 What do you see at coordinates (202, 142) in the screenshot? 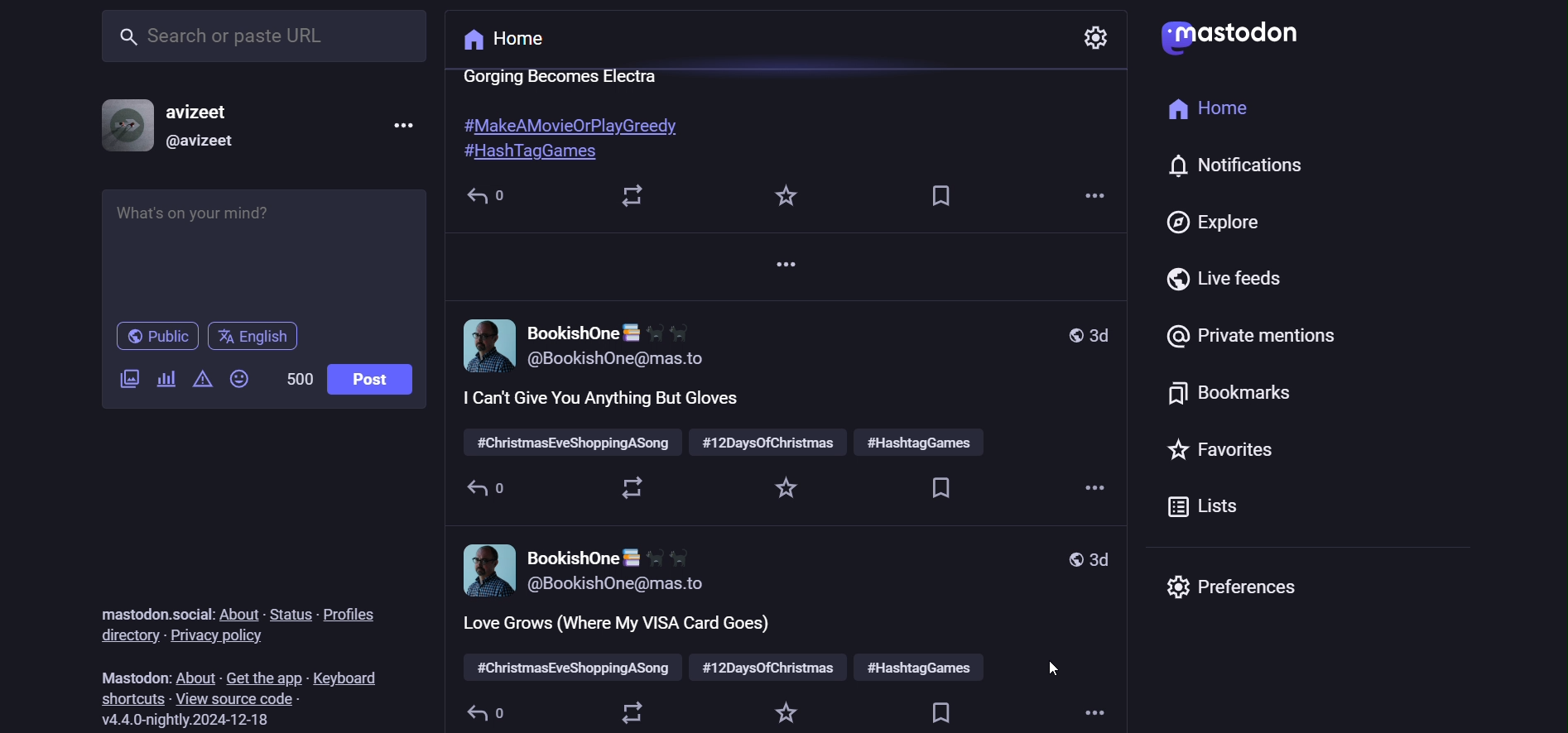
I see `id` at bounding box center [202, 142].